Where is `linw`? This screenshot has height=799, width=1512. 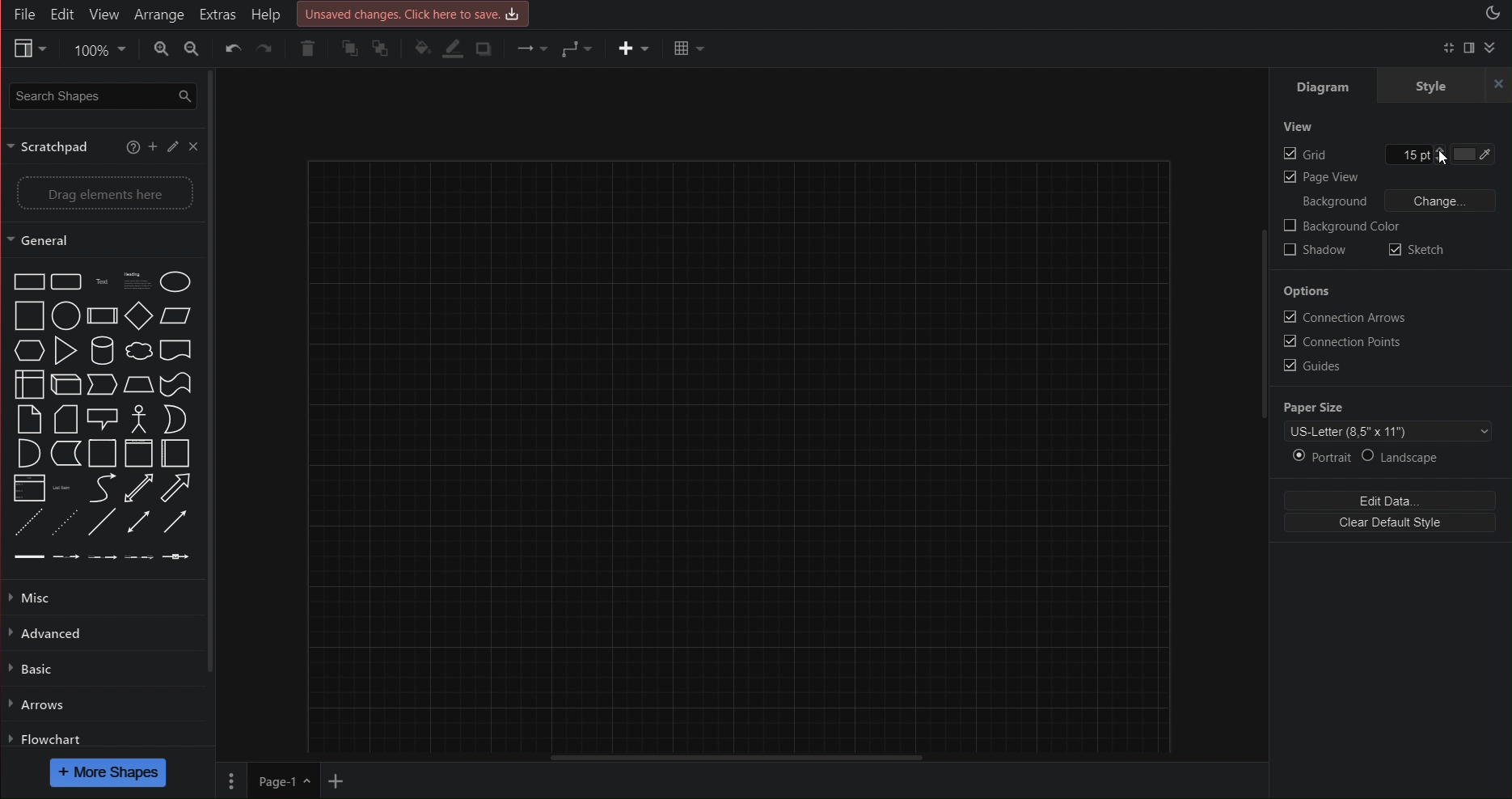
linw is located at coordinates (61, 484).